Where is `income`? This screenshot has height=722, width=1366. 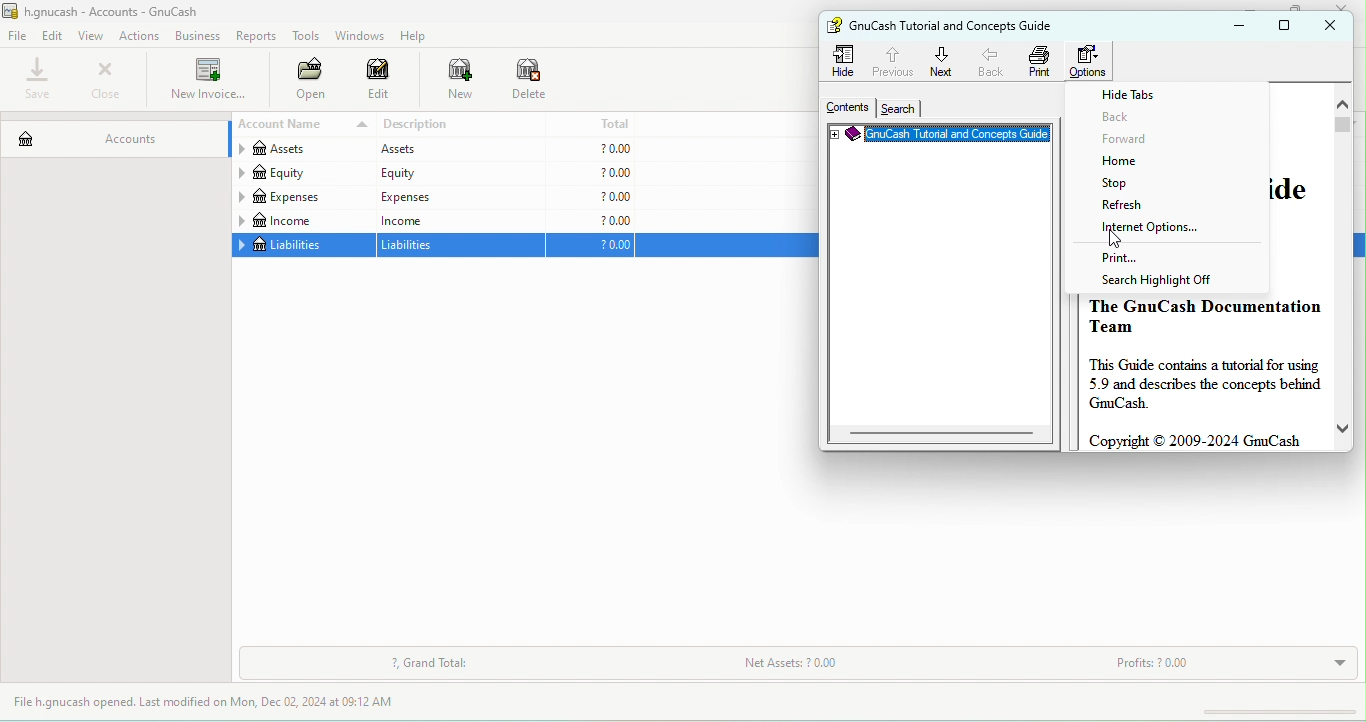
income is located at coordinates (302, 221).